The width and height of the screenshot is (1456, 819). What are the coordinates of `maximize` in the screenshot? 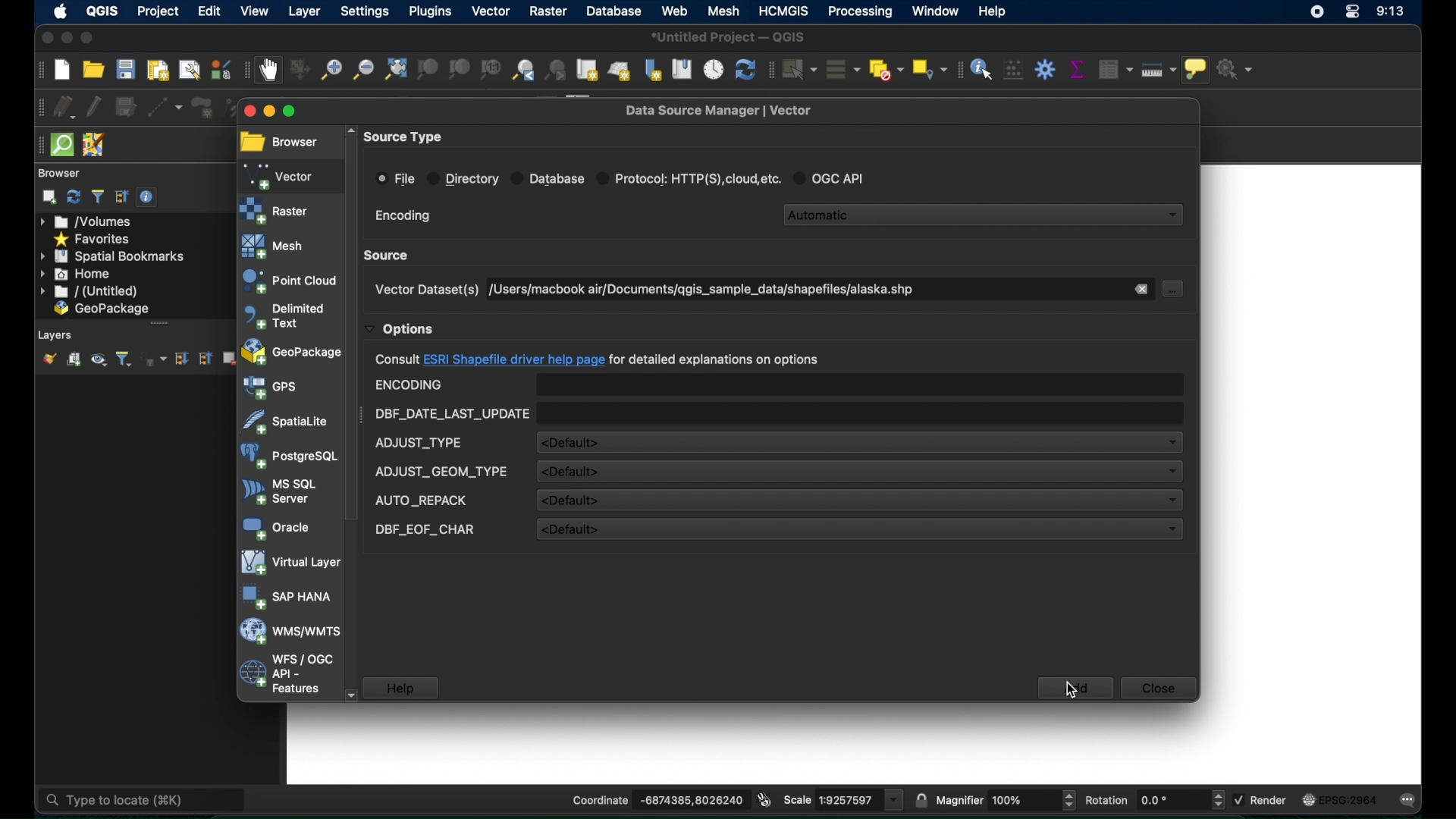 It's located at (301, 113).